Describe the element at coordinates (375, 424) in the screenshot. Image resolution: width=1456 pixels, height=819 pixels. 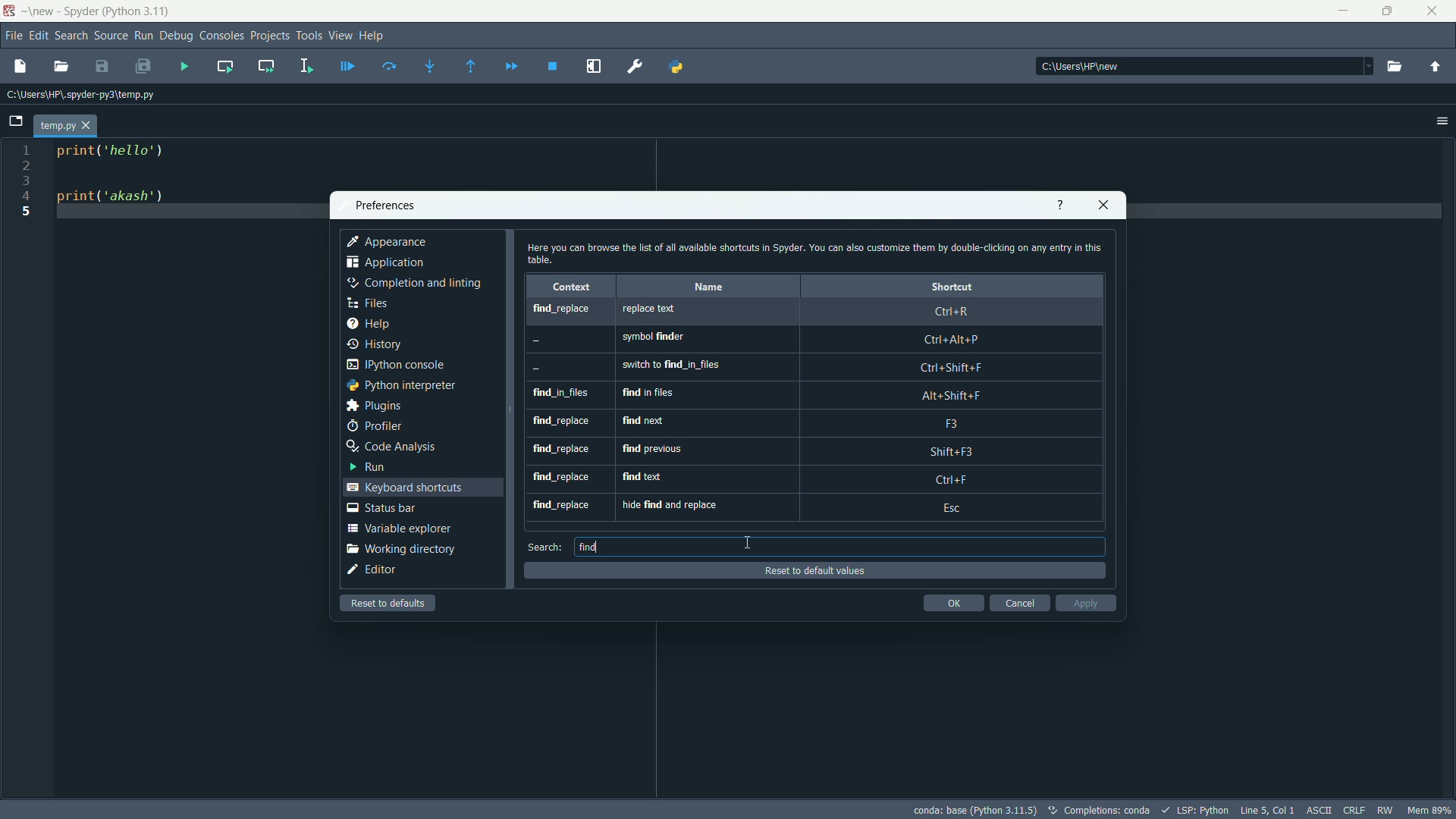
I see `profiler` at that location.